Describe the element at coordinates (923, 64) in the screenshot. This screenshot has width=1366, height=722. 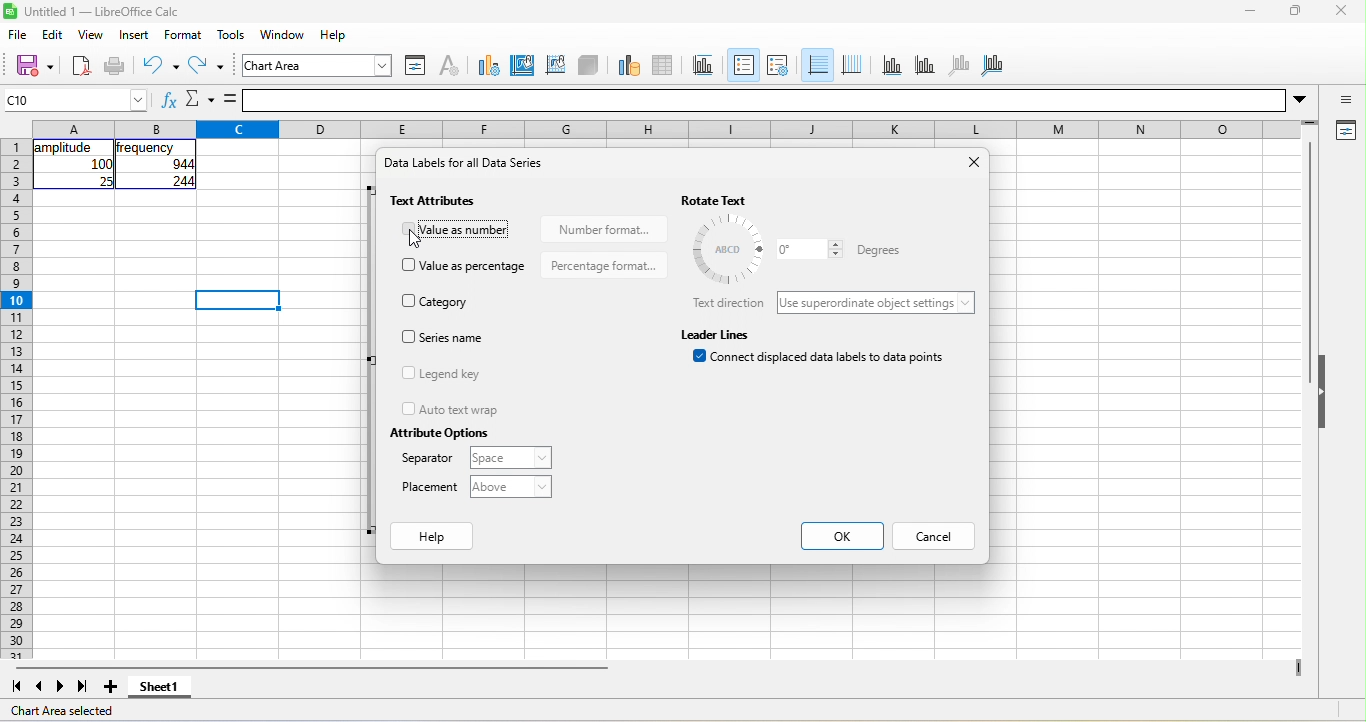
I see `y axis` at that location.